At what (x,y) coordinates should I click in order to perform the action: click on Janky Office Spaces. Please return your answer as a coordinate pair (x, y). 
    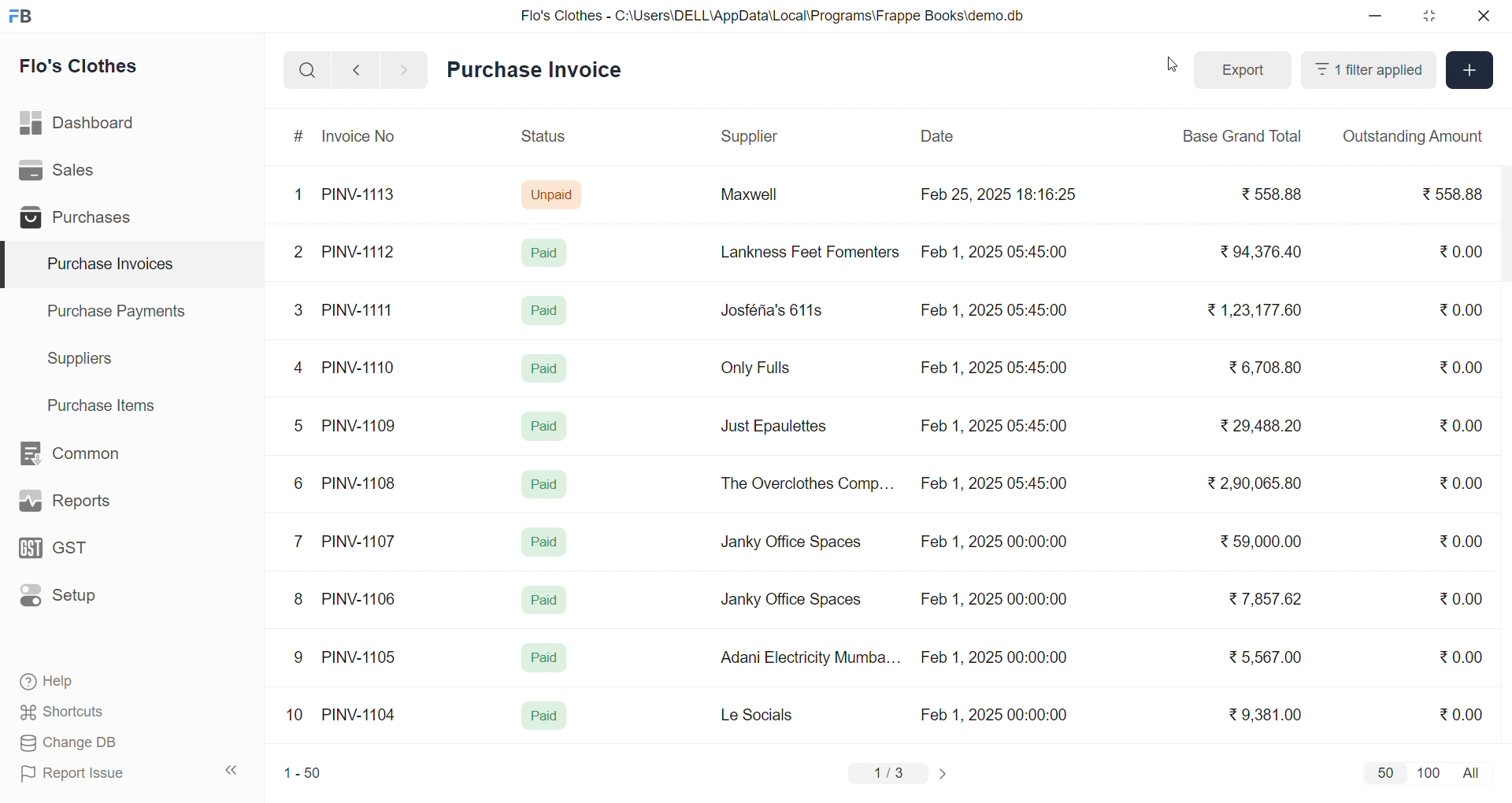
    Looking at the image, I should click on (791, 601).